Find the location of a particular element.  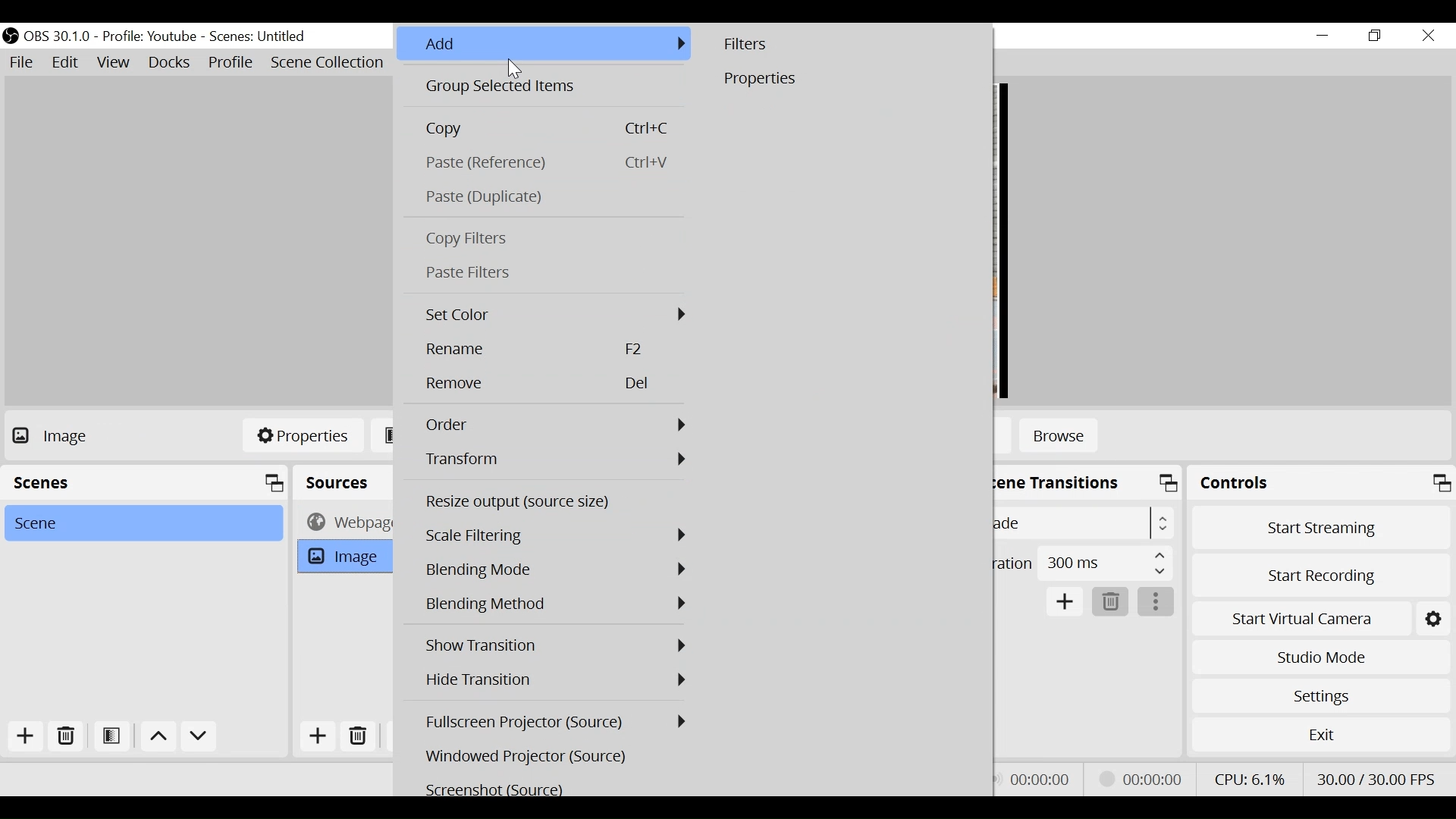

Group Selected is located at coordinates (543, 88).